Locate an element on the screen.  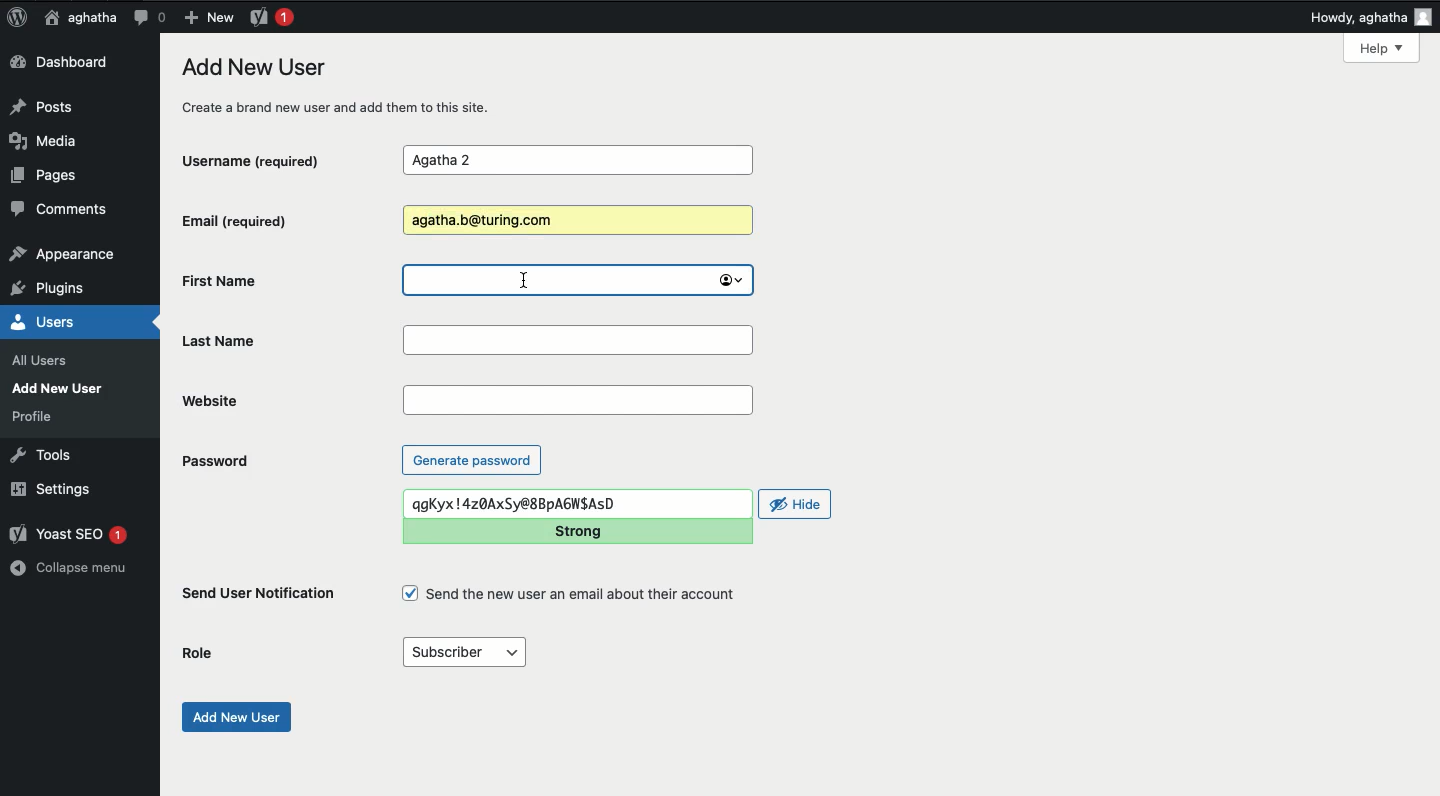
Send the new user an email about their account is located at coordinates (572, 594).